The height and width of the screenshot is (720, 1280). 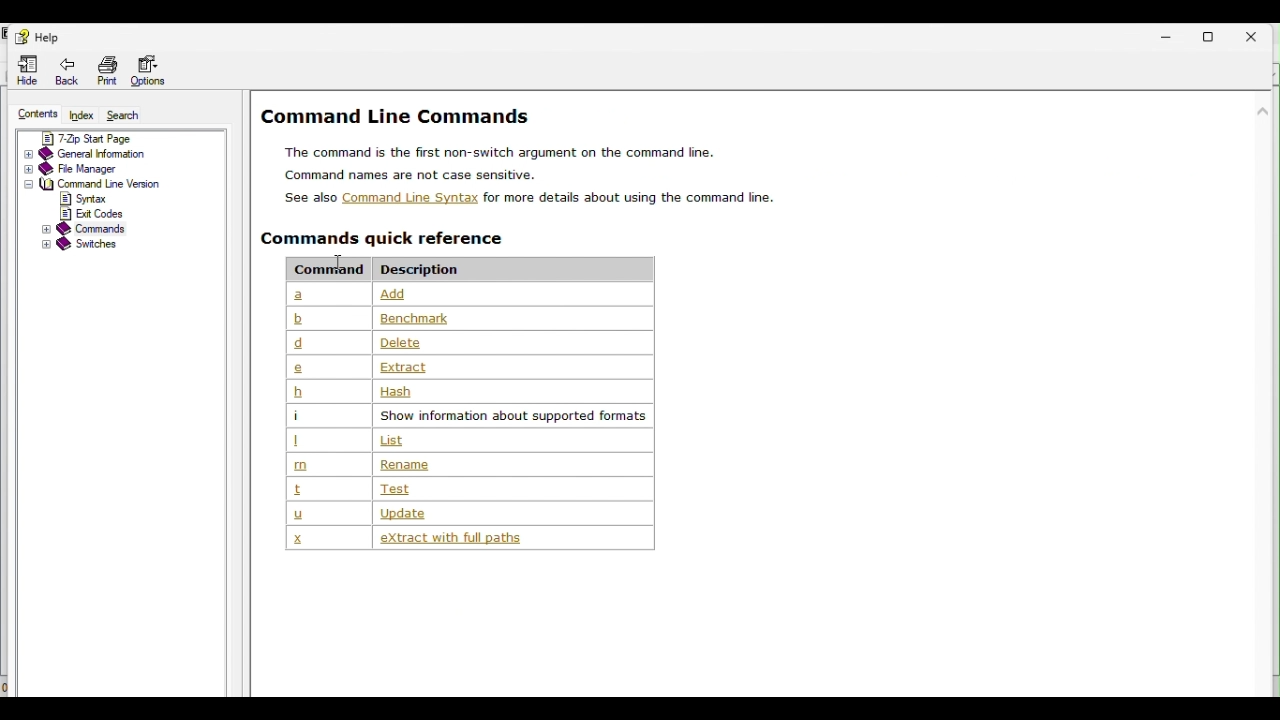 What do you see at coordinates (396, 392) in the screenshot?
I see `description` at bounding box center [396, 392].